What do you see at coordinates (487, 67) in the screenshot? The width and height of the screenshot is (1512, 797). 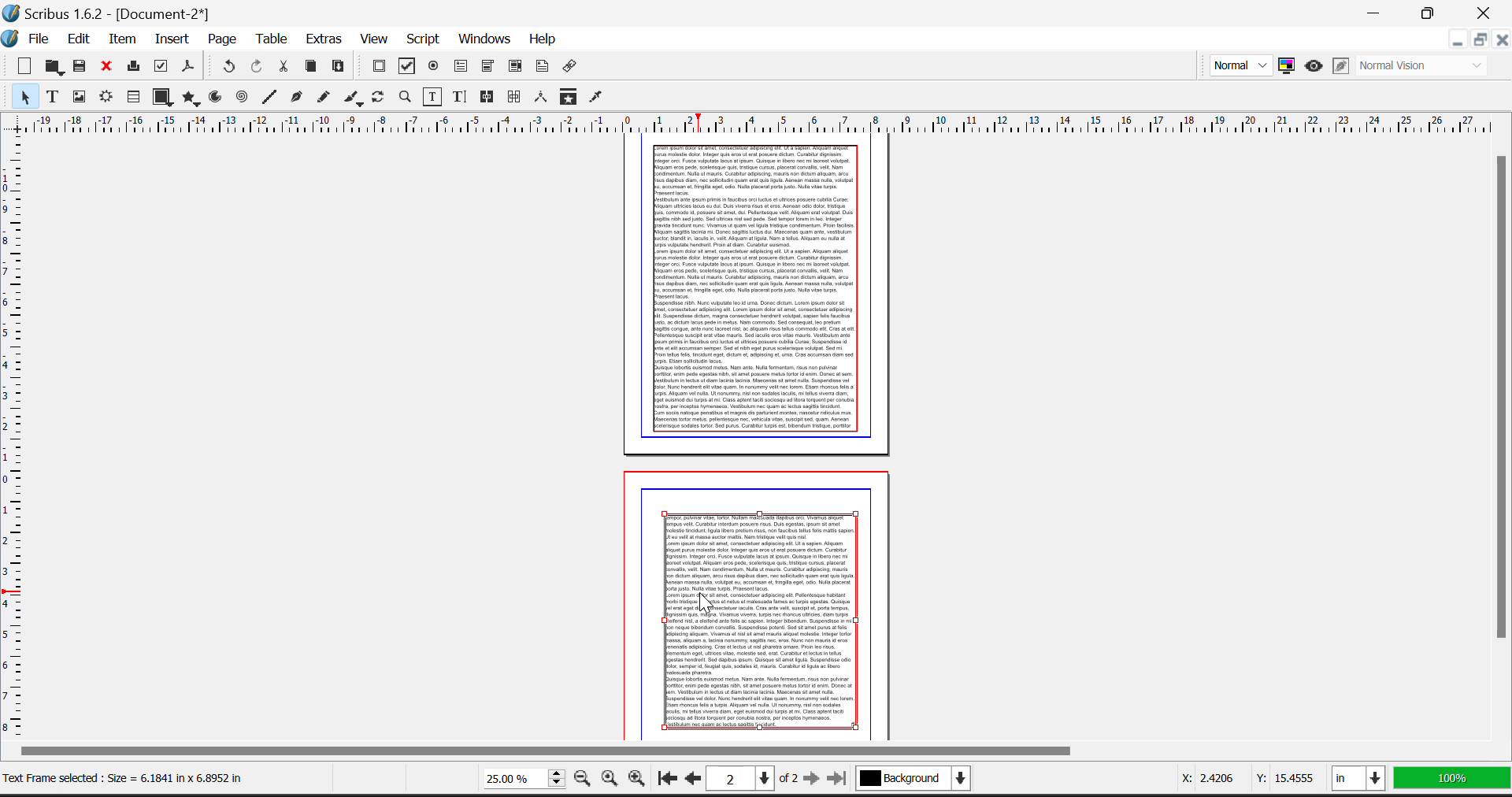 I see `PDF Combo Box` at bounding box center [487, 67].